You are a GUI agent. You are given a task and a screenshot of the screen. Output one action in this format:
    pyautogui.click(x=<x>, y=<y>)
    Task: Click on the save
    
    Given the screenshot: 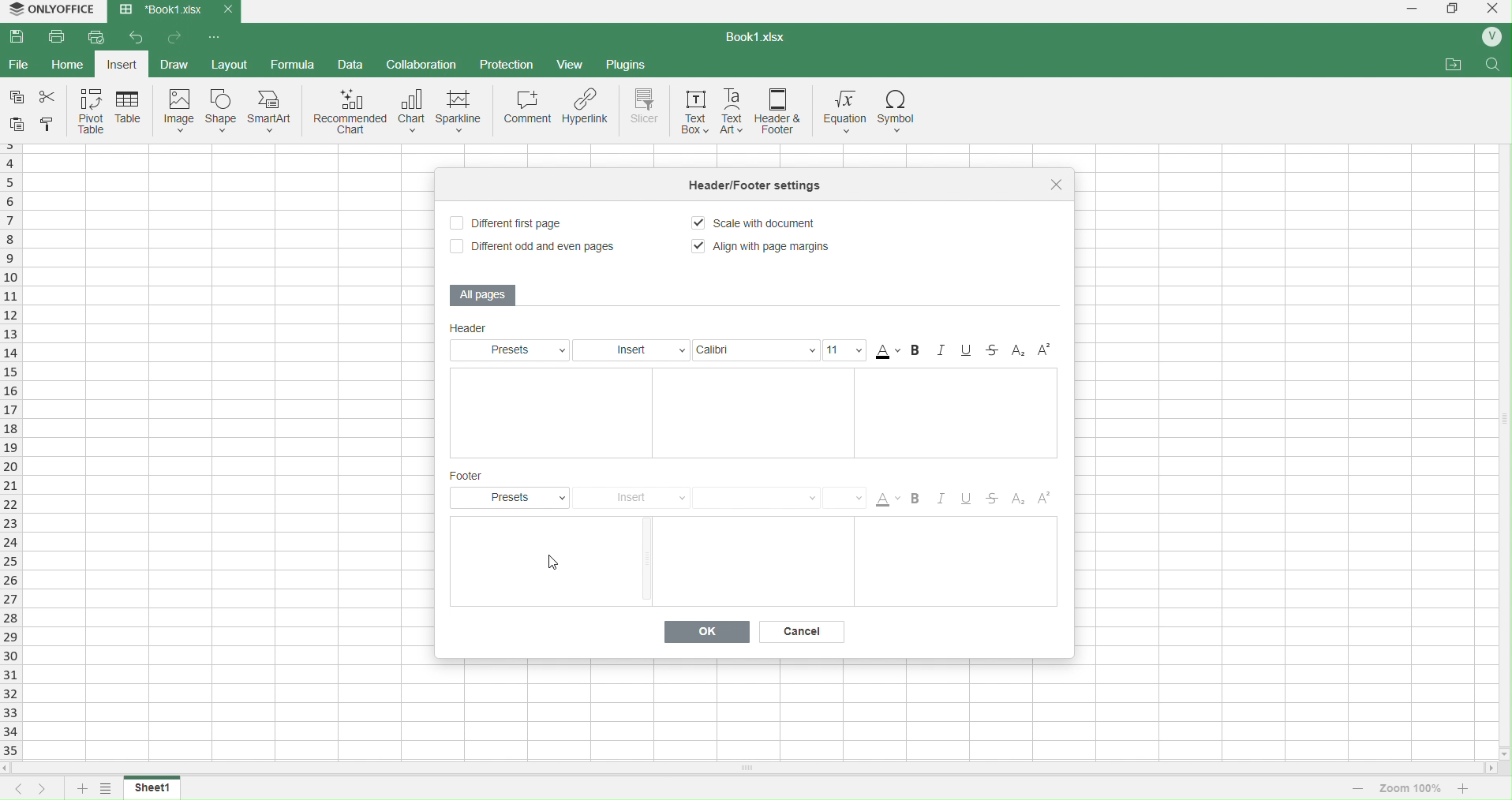 What is the action you would take?
    pyautogui.click(x=21, y=37)
    